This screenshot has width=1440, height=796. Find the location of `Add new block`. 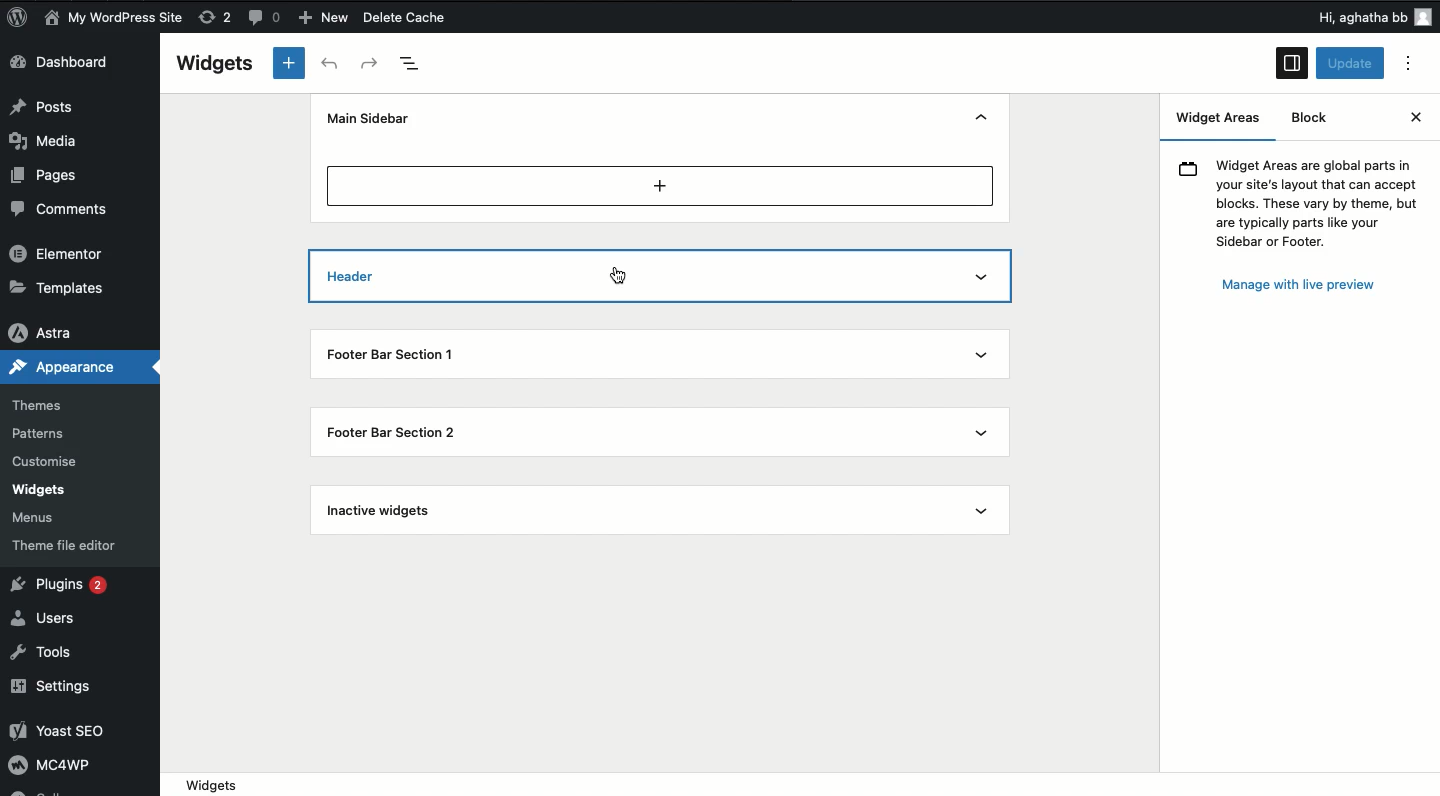

Add new block is located at coordinates (660, 185).